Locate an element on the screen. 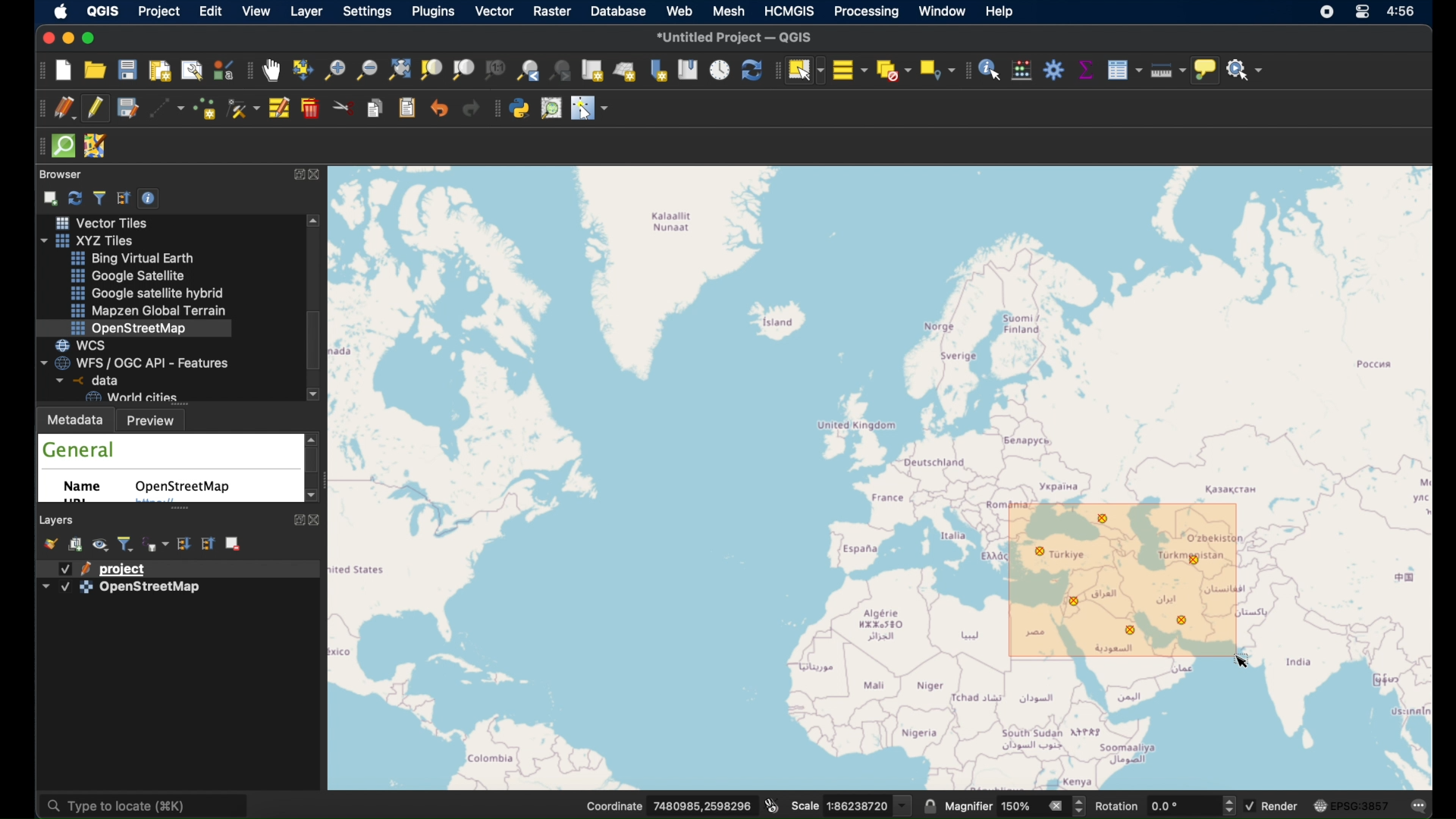 Image resolution: width=1456 pixels, height=819 pixels. delete selected is located at coordinates (312, 108).